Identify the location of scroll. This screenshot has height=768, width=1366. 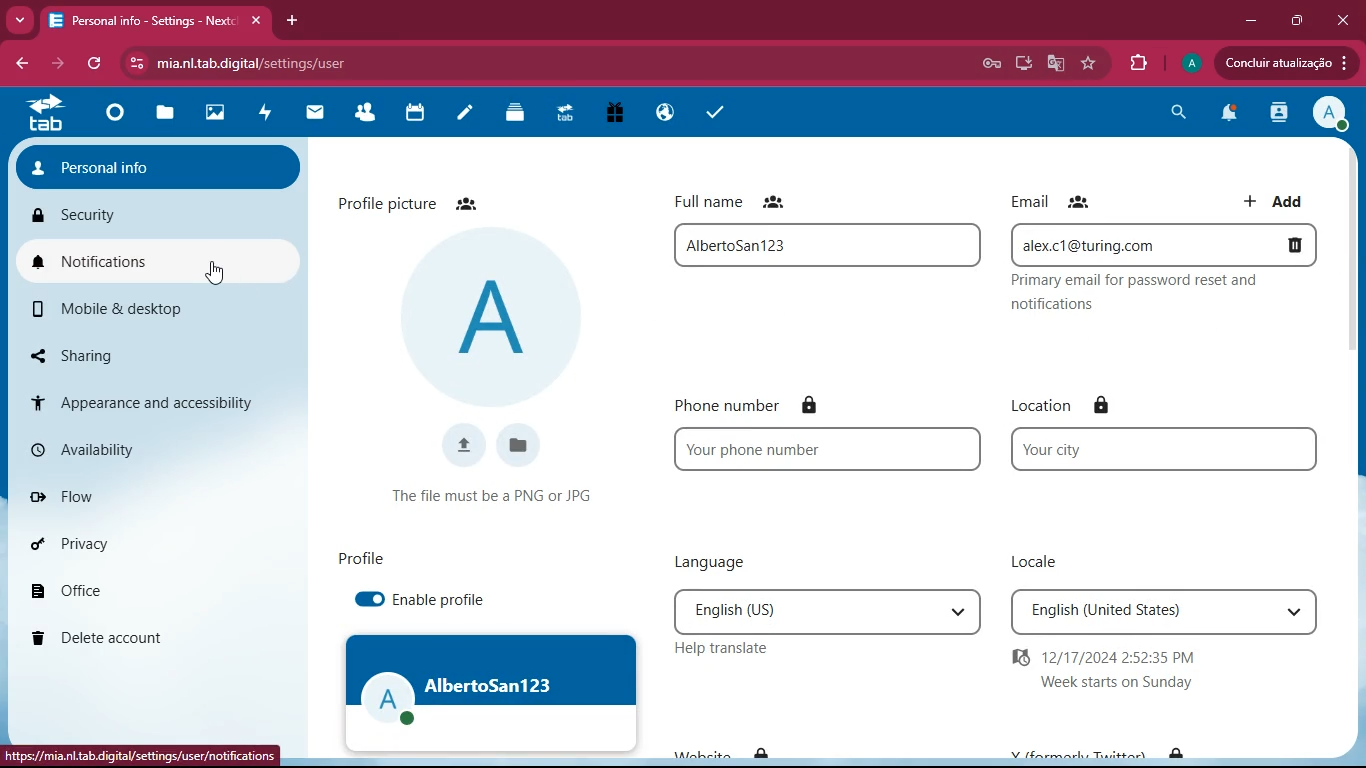
(1354, 308).